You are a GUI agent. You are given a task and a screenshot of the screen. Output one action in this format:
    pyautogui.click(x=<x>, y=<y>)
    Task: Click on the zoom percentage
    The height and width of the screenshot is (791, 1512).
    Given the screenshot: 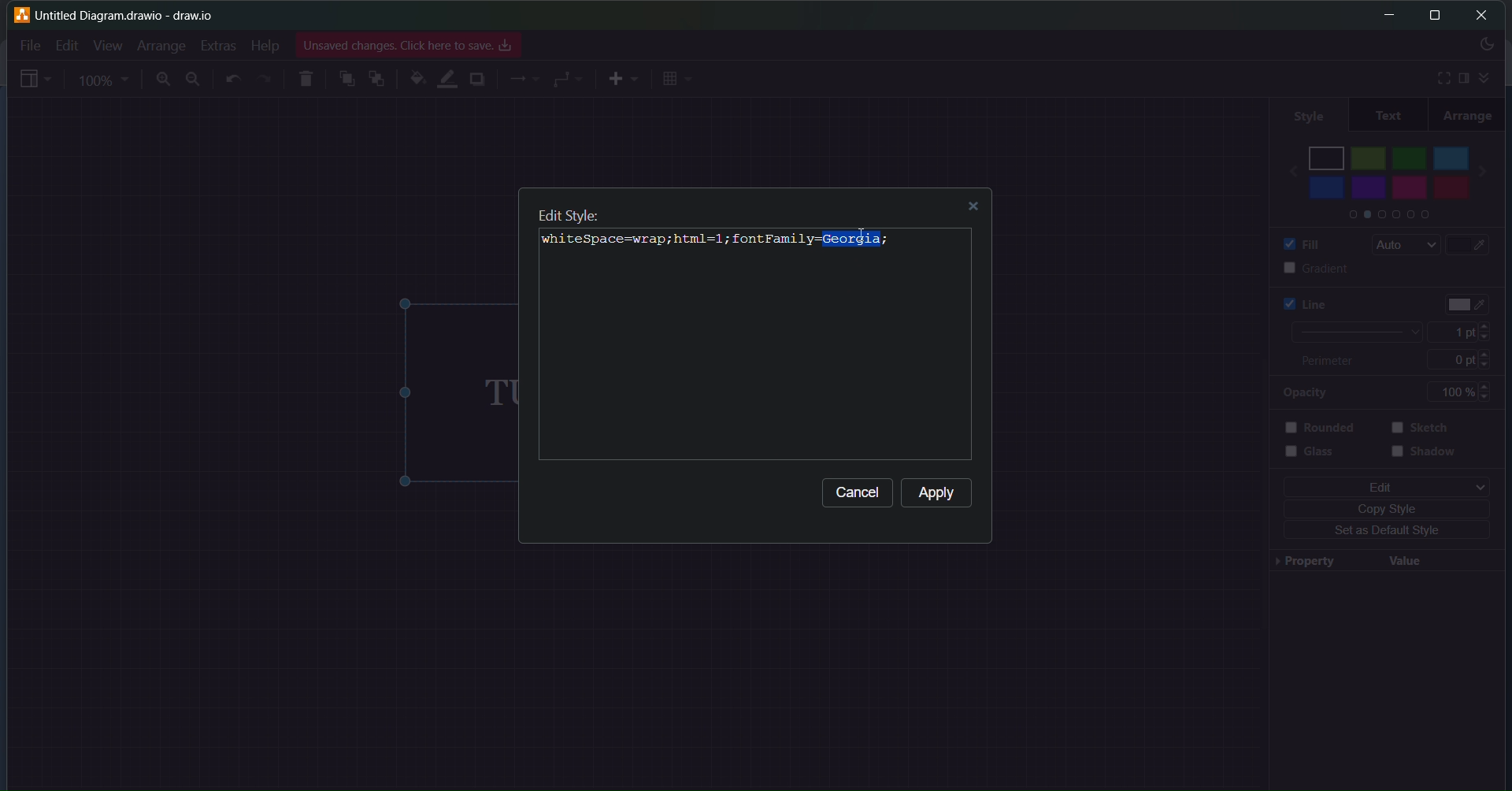 What is the action you would take?
    pyautogui.click(x=106, y=80)
    